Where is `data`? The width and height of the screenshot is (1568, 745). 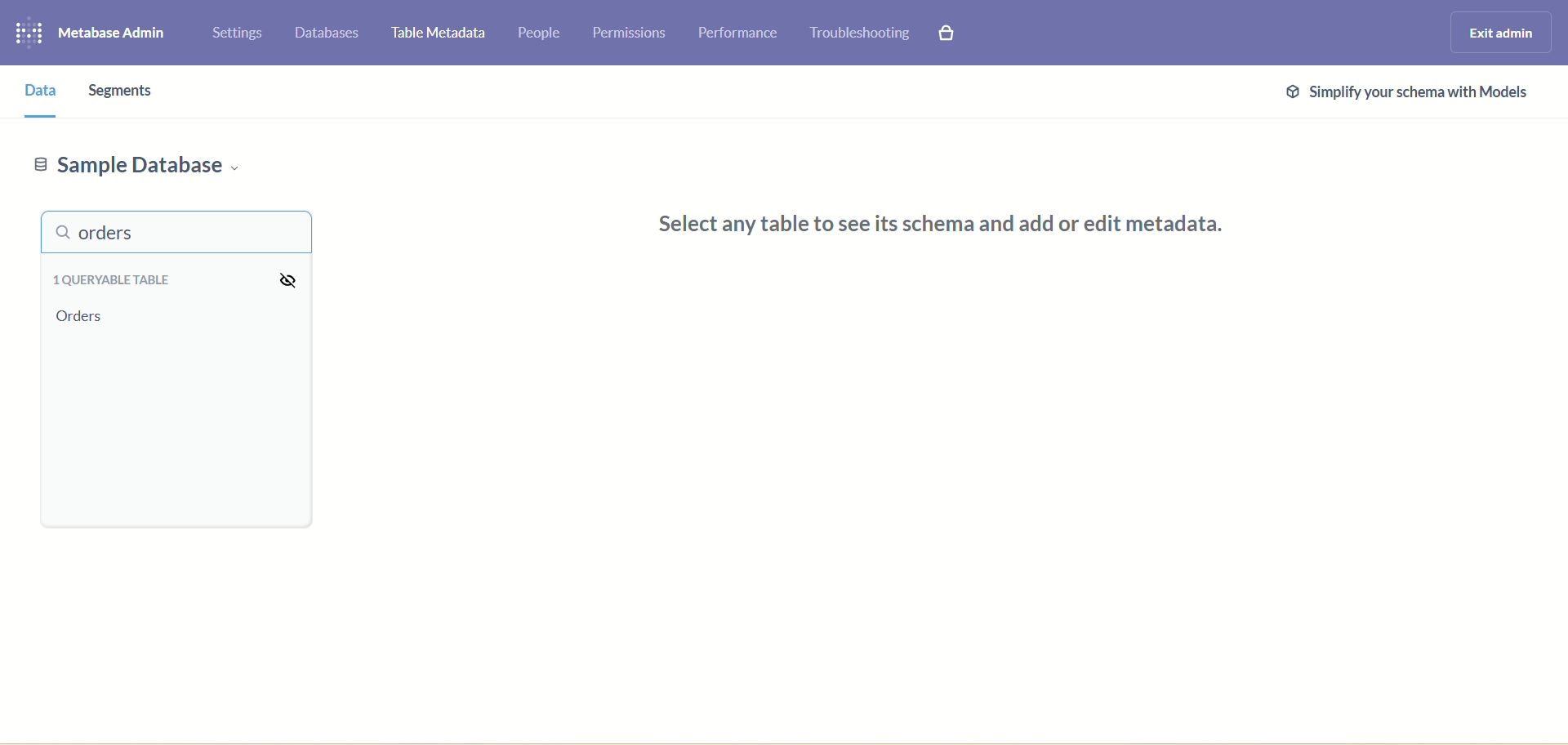 data is located at coordinates (37, 99).